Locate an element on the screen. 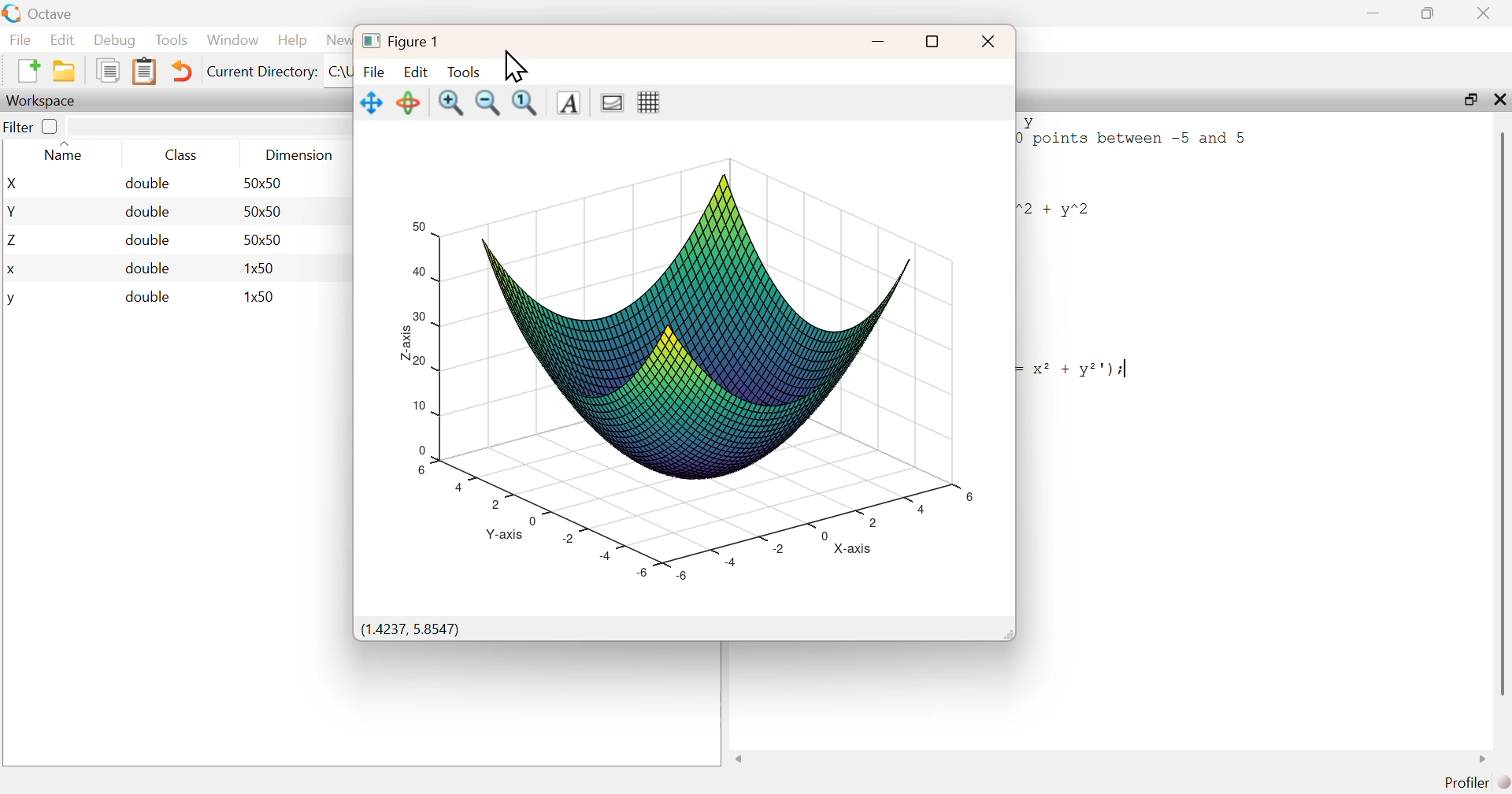 This screenshot has width=1512, height=794. Class is located at coordinates (181, 154).